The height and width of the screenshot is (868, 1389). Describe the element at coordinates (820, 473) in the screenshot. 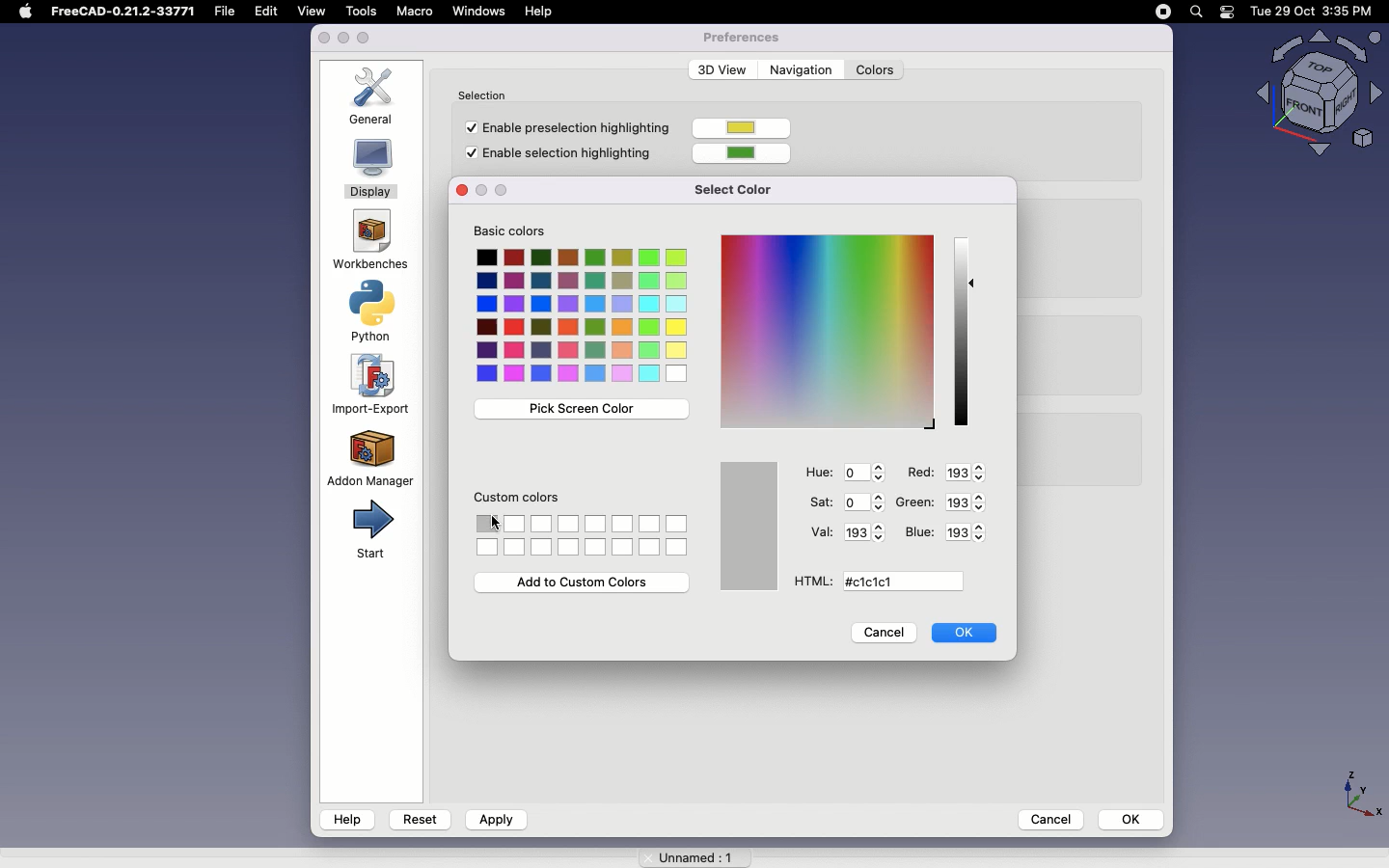

I see `Hue` at that location.